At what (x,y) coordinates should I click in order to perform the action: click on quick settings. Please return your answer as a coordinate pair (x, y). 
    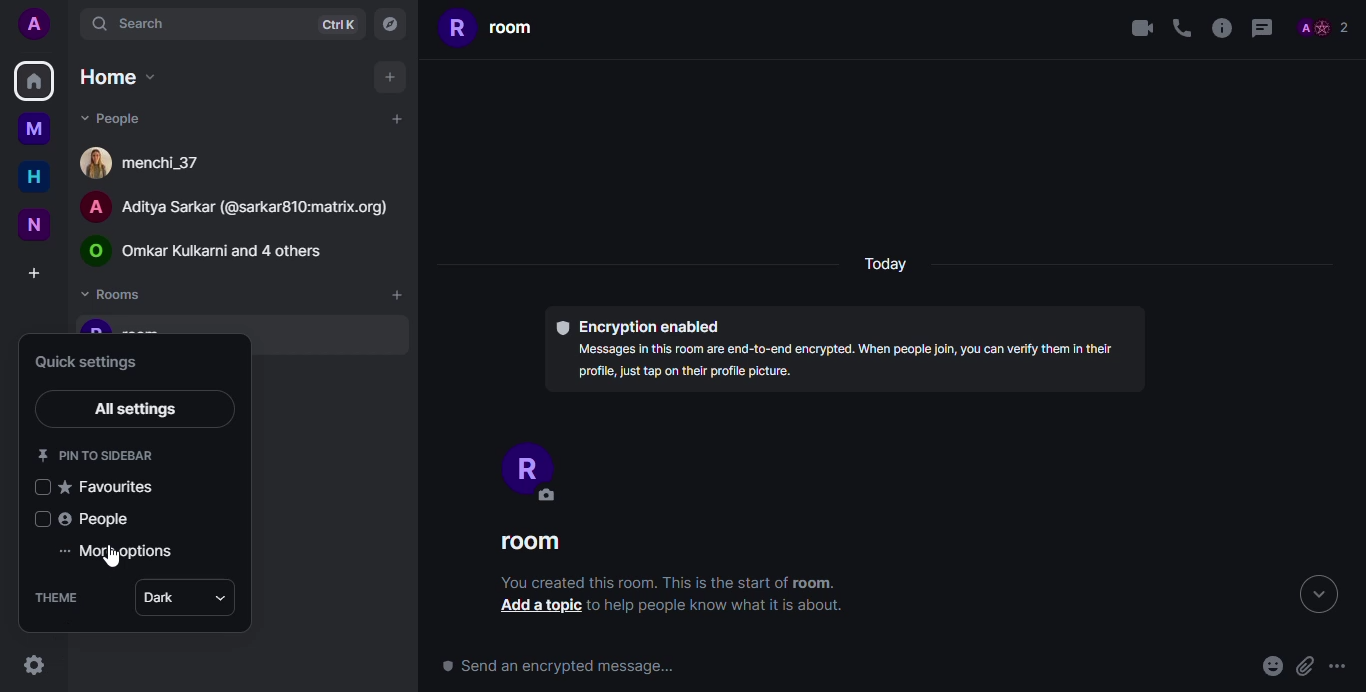
    Looking at the image, I should click on (94, 362).